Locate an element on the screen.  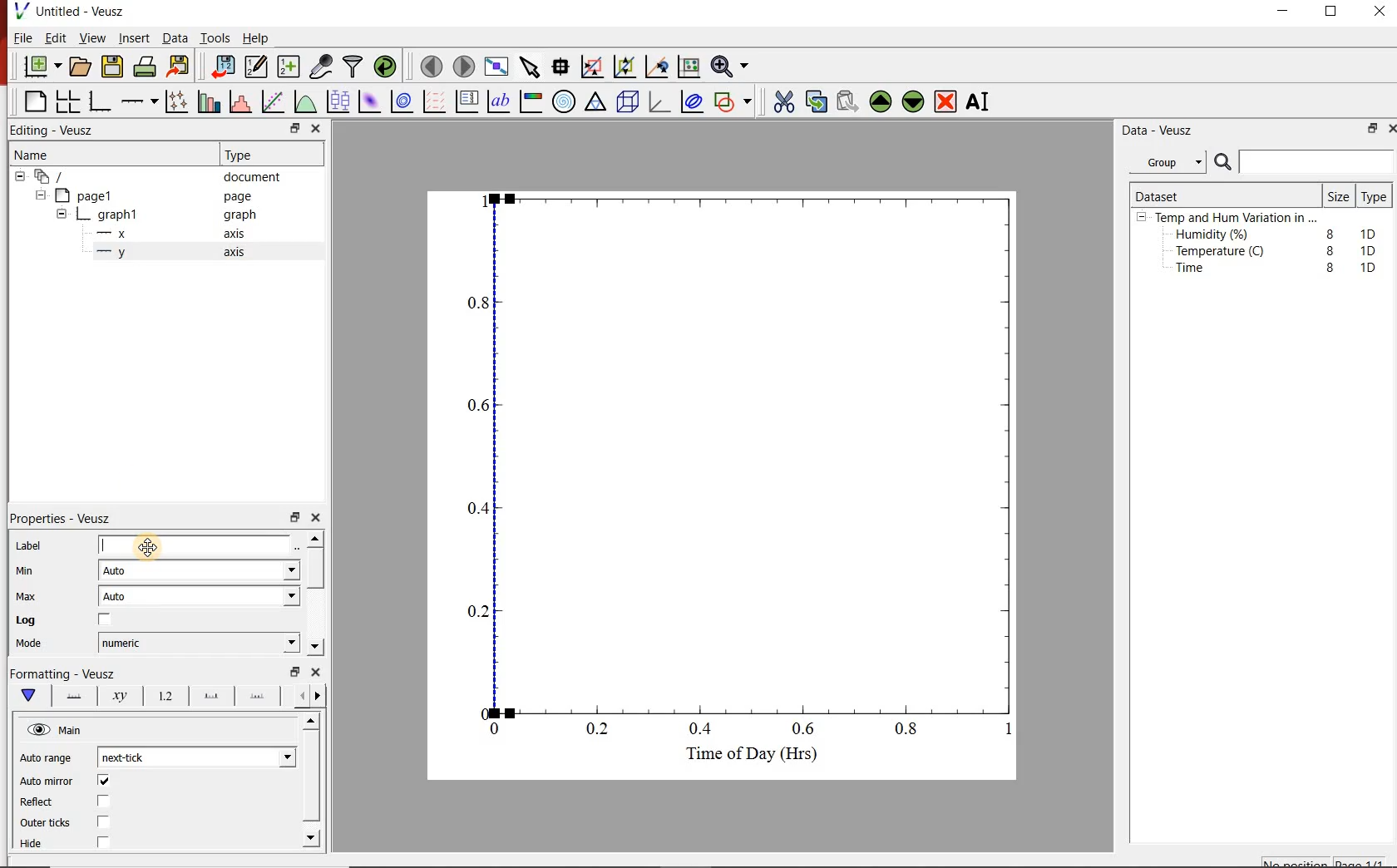
graph is located at coordinates (119, 214).